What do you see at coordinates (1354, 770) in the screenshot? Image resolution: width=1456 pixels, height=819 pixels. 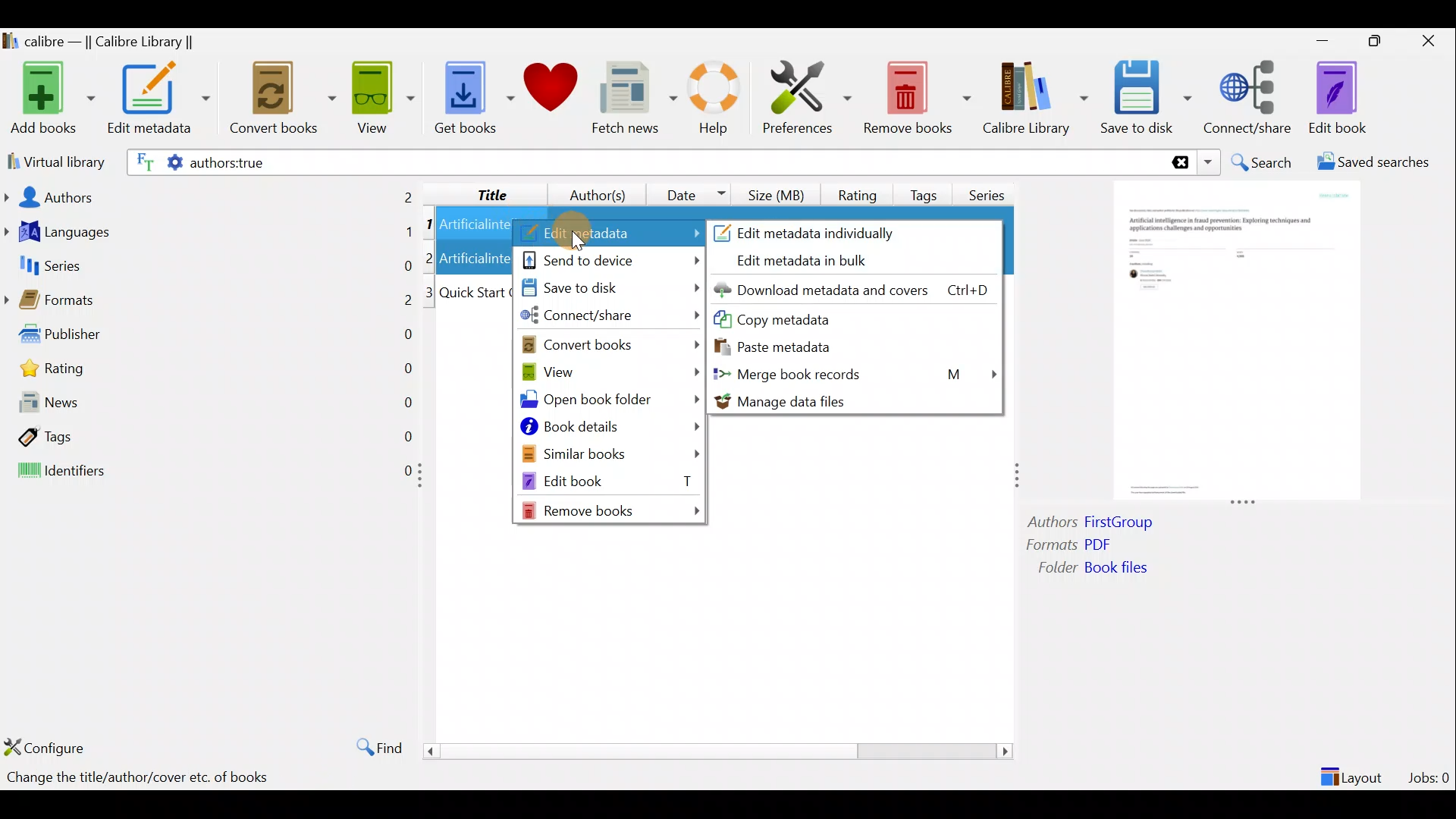 I see `Layout` at bounding box center [1354, 770].